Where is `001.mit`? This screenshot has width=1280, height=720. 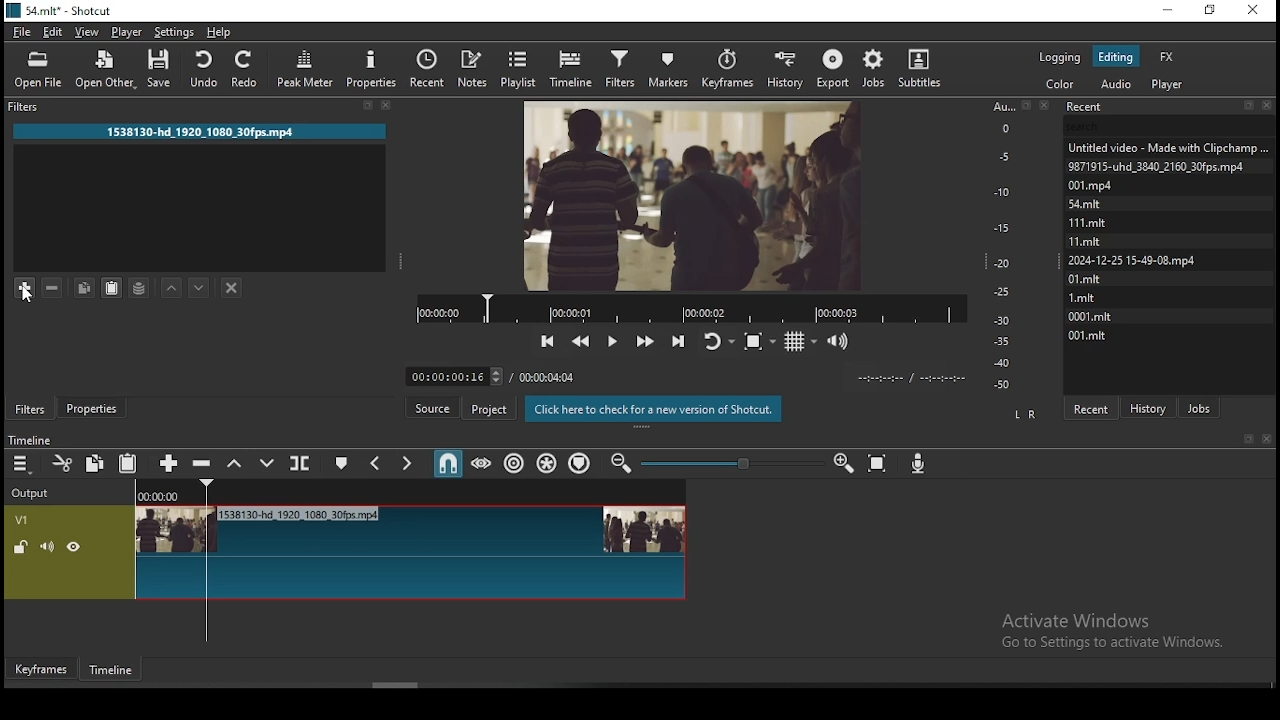
001.mit is located at coordinates (1092, 336).